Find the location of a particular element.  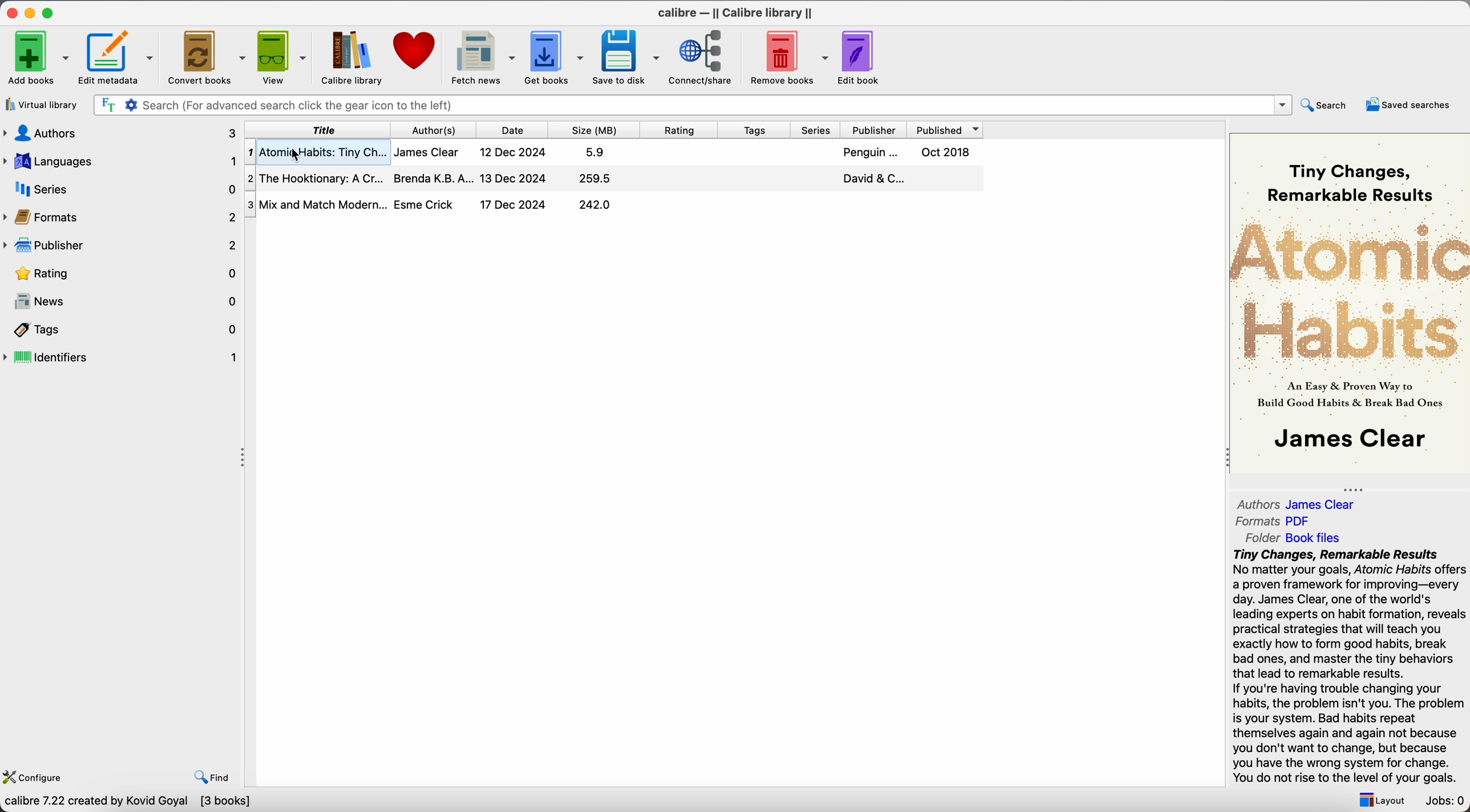

calibre library is located at coordinates (349, 57).